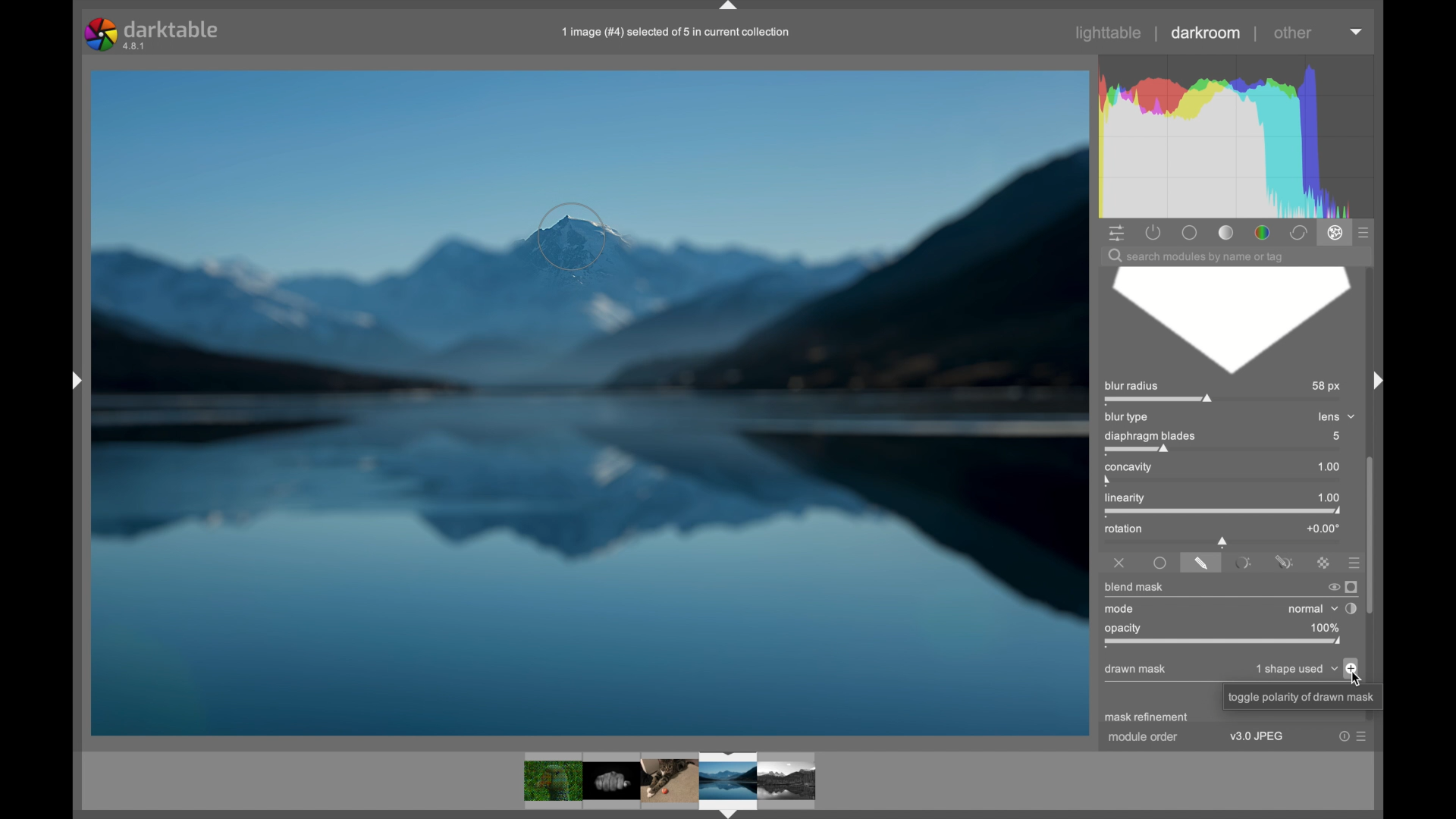  I want to click on toggle blending order, so click(1352, 608).